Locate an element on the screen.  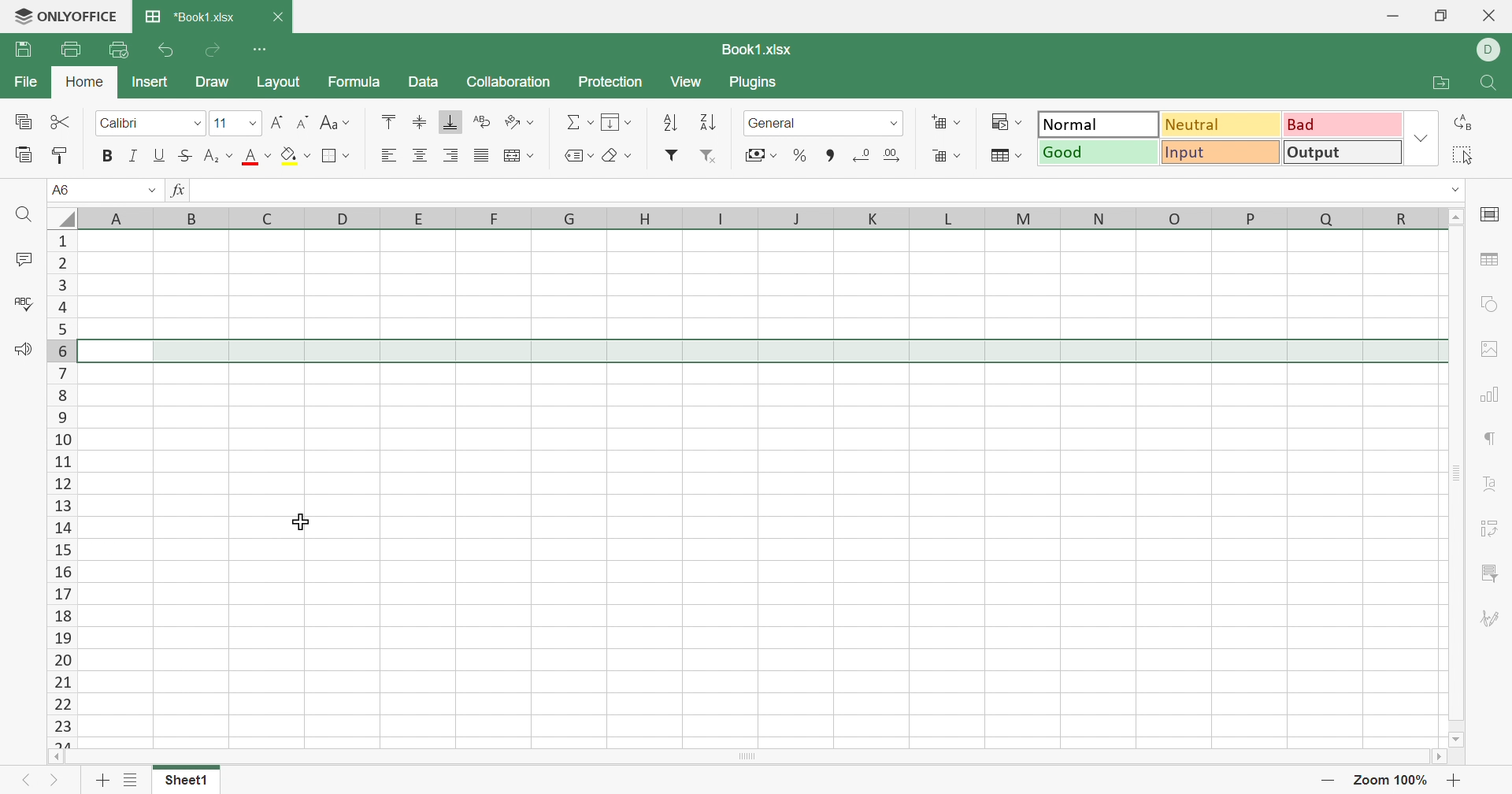
ONLYOFFICE is located at coordinates (63, 17).